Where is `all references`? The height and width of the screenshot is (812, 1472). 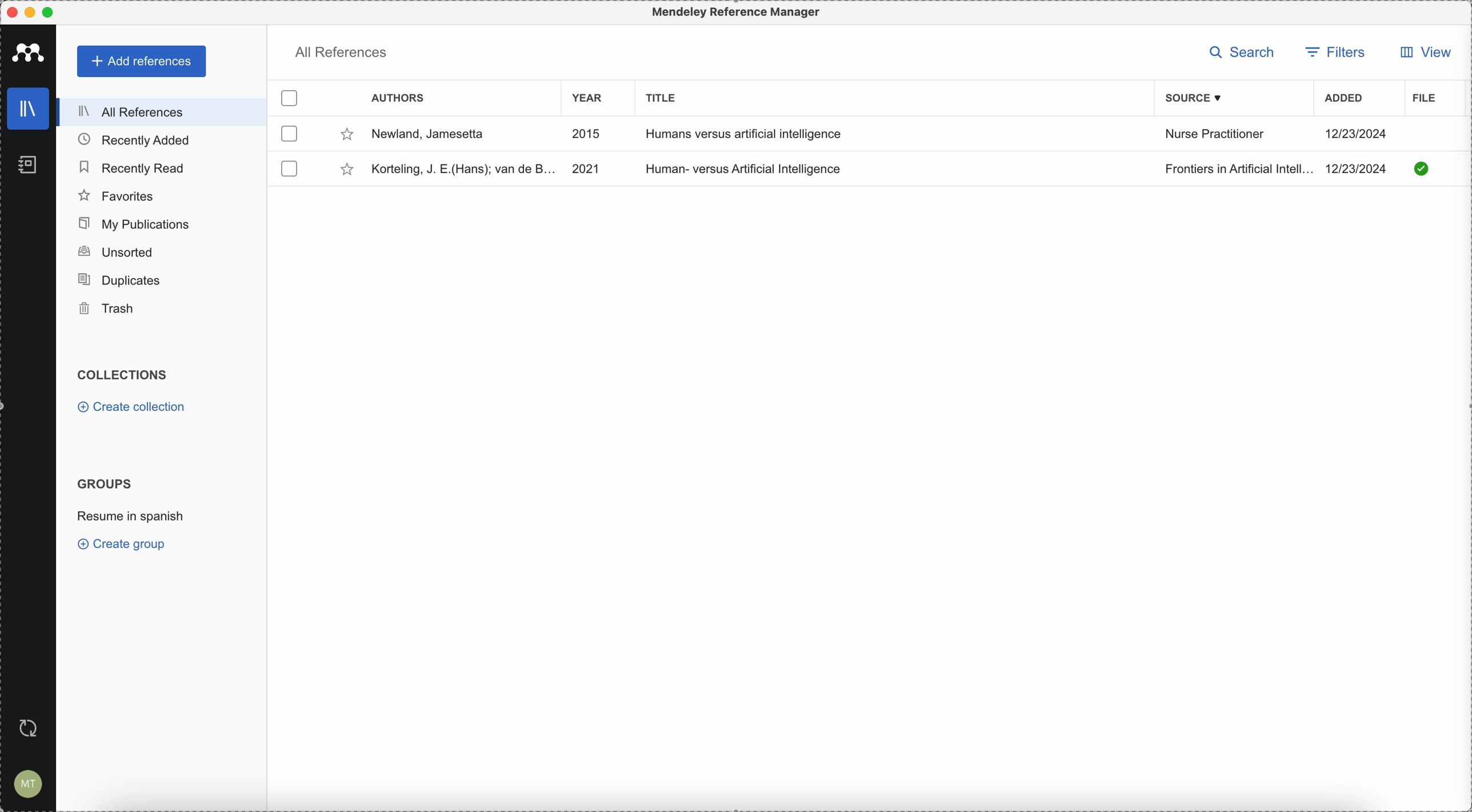 all references is located at coordinates (162, 111).